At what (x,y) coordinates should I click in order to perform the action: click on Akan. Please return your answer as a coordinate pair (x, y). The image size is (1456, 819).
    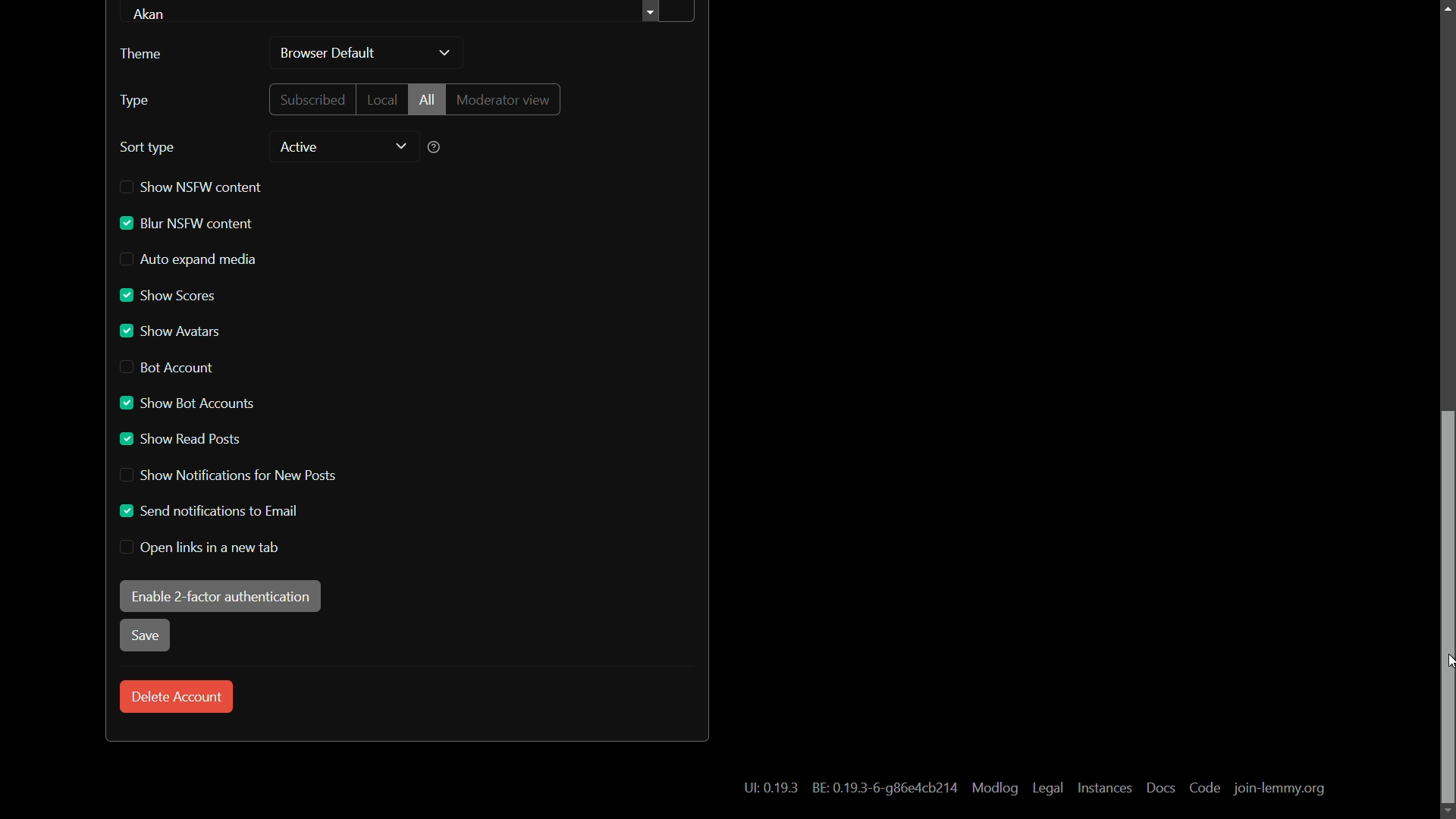
    Looking at the image, I should click on (155, 14).